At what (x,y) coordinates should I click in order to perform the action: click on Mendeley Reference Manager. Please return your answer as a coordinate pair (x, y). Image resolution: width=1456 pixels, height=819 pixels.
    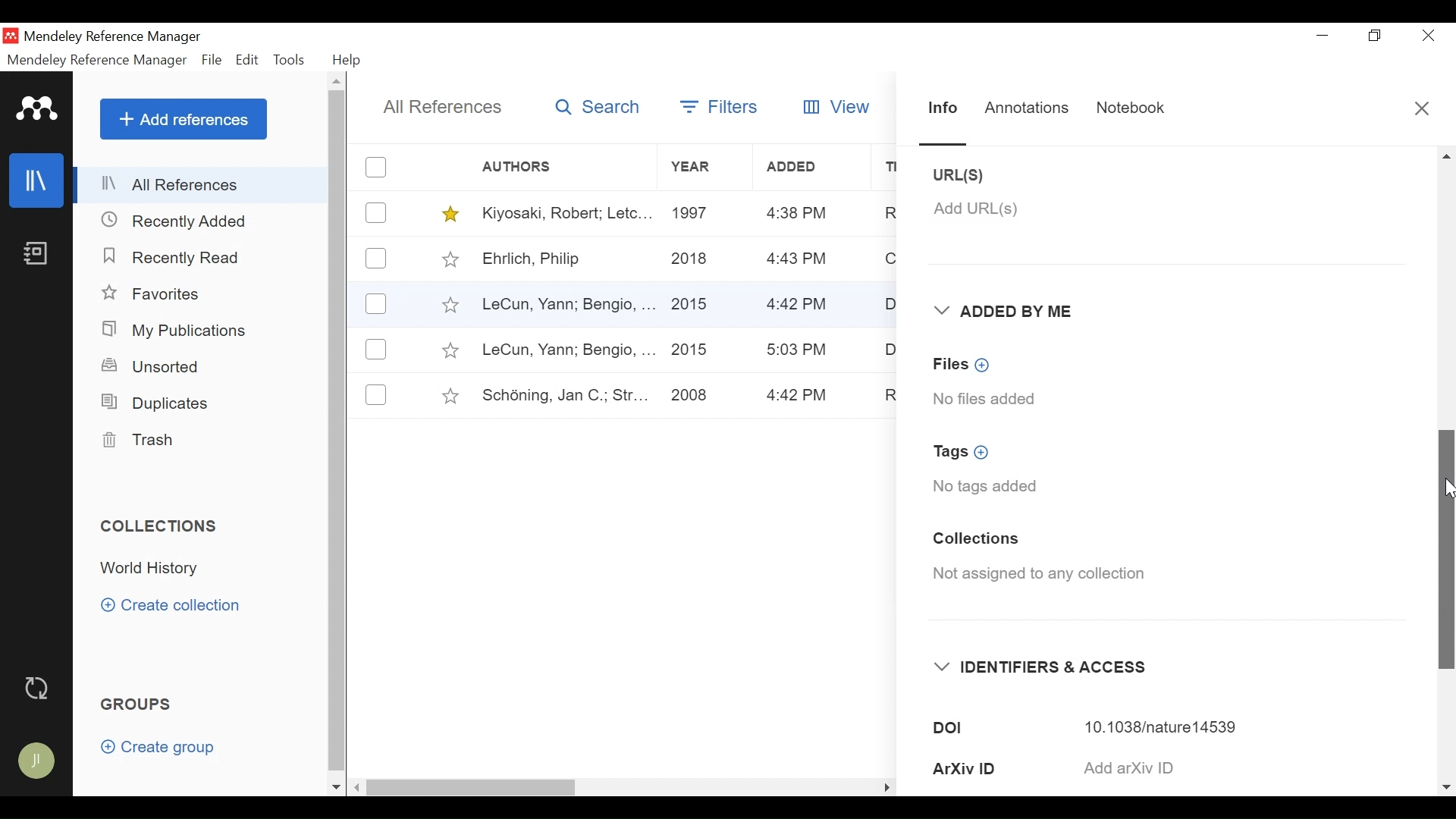
    Looking at the image, I should click on (96, 60).